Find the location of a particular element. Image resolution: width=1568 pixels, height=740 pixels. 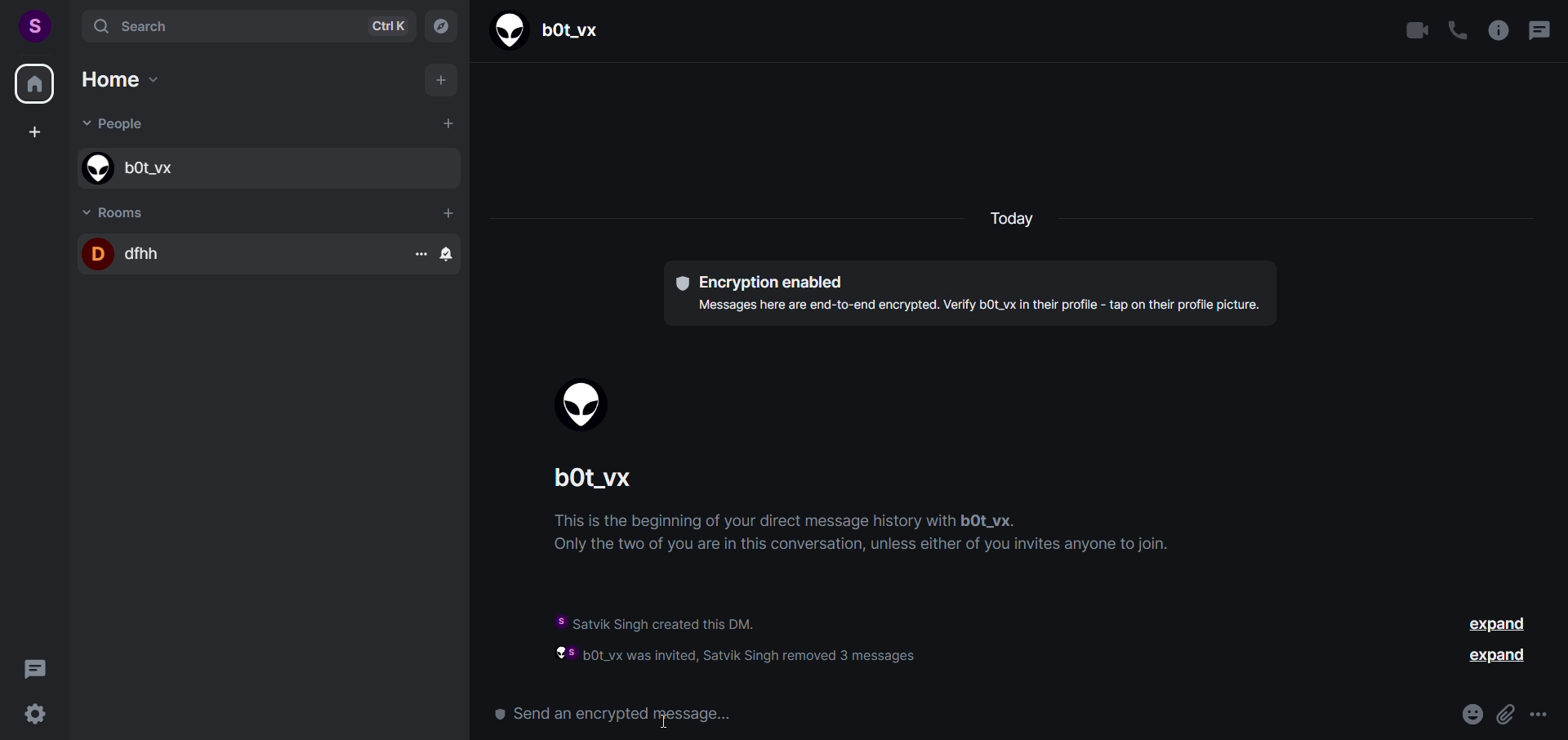

room info is located at coordinates (1496, 30).